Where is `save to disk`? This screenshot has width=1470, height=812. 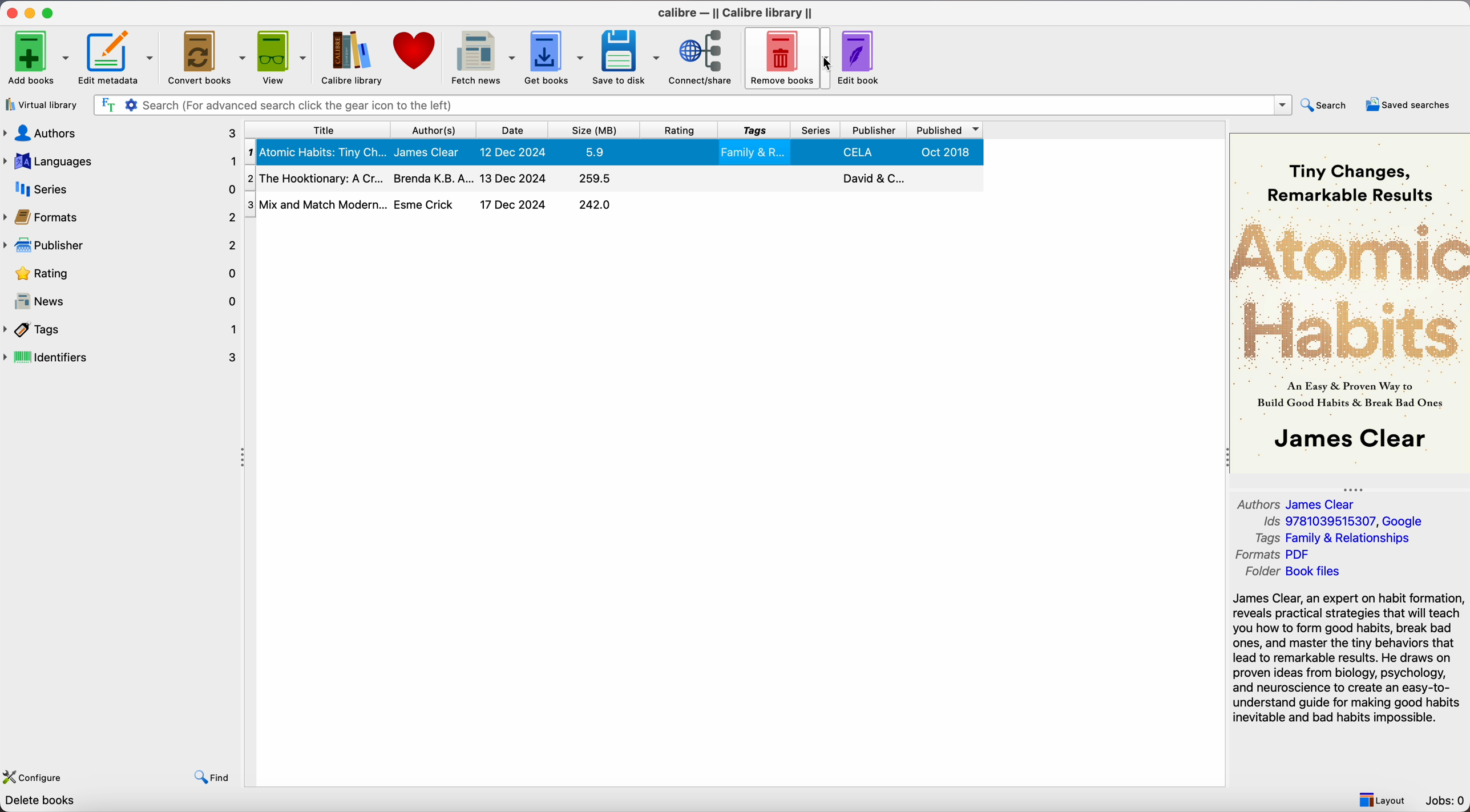
save to disk is located at coordinates (628, 57).